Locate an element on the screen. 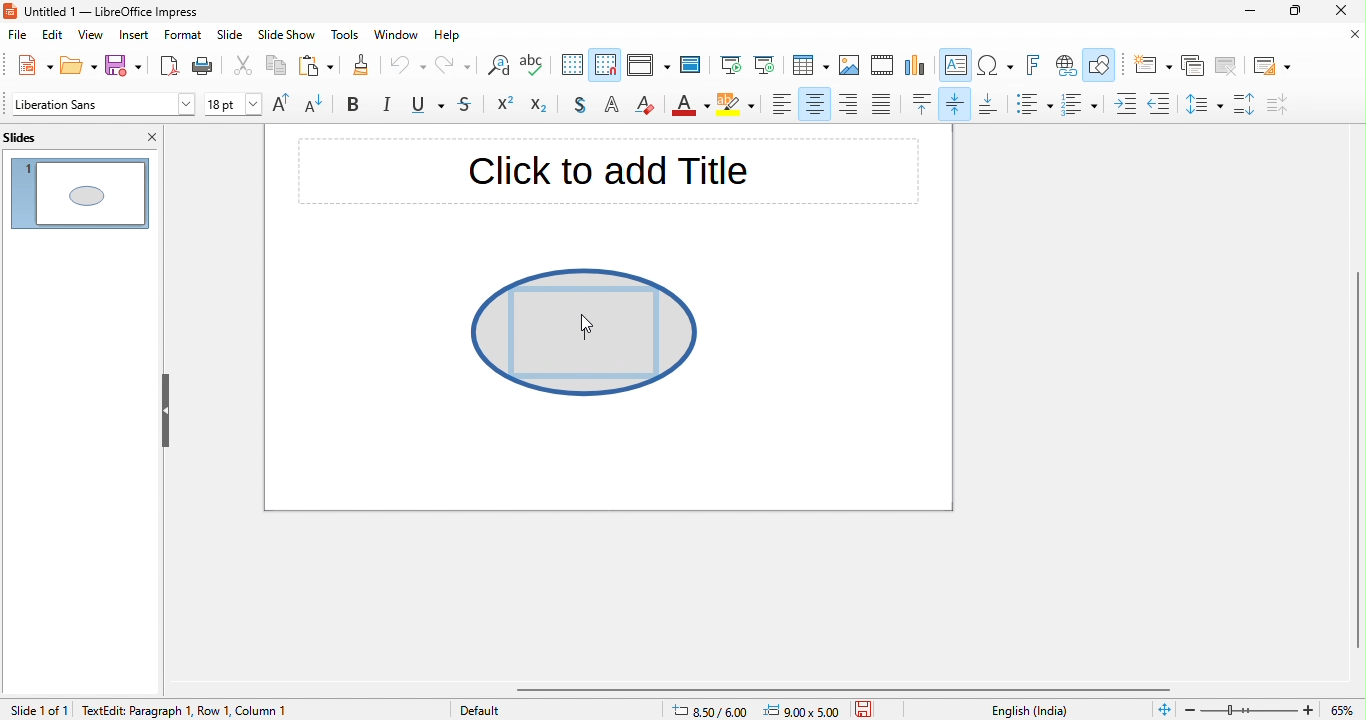  set line spacing is located at coordinates (1202, 103).